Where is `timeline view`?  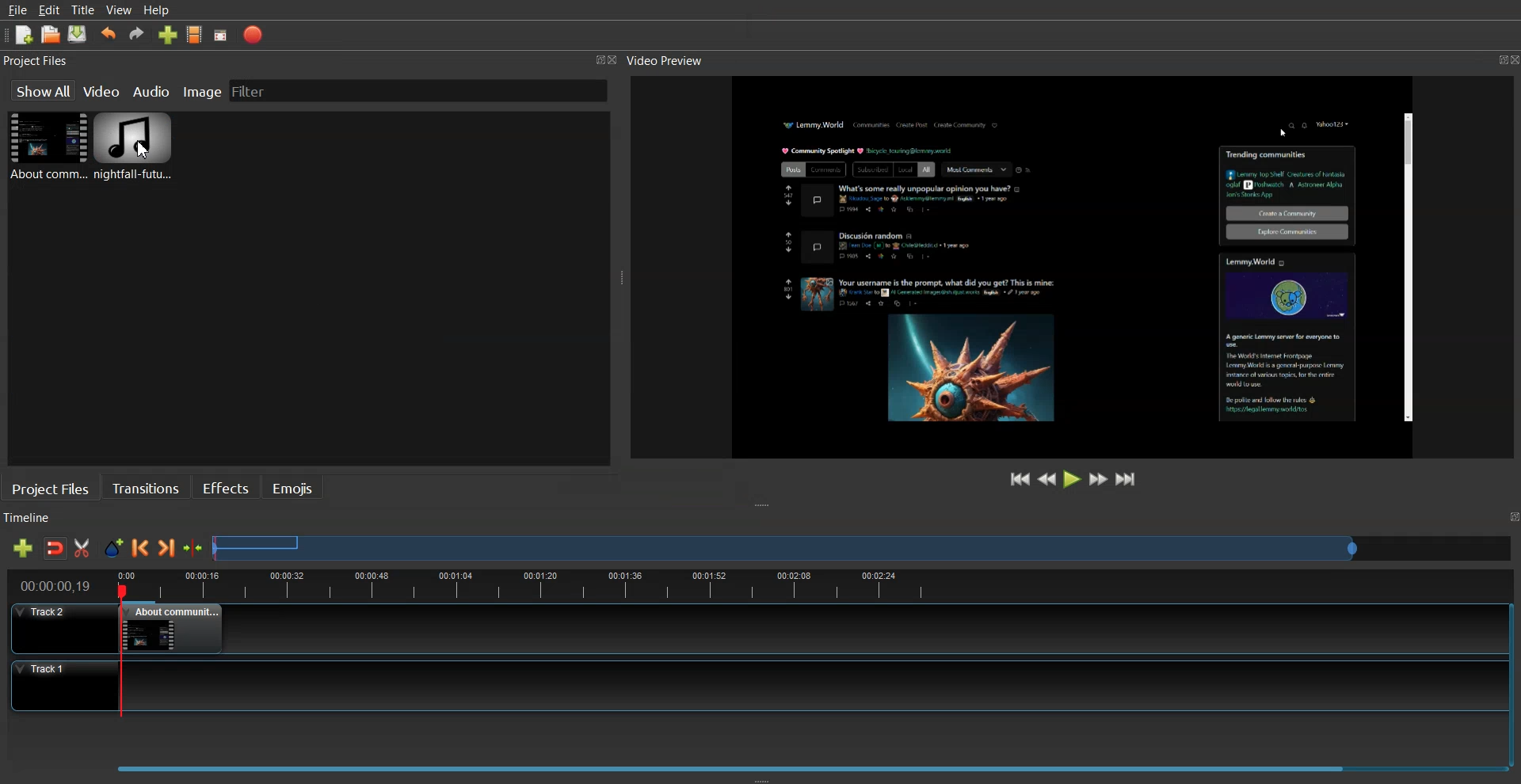
timeline view is located at coordinates (753, 584).